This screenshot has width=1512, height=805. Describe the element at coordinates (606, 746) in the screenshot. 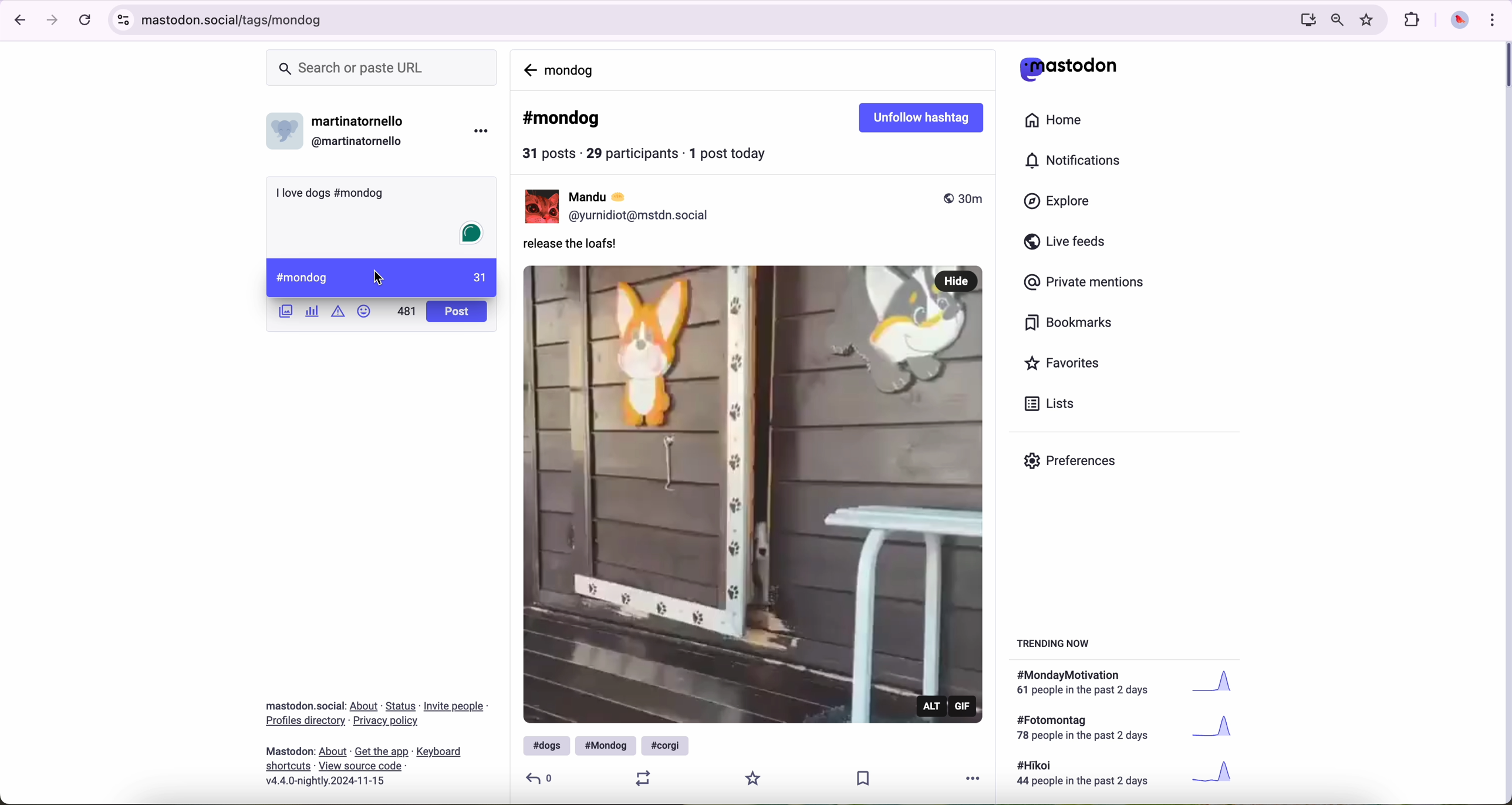

I see `#mondog` at that location.